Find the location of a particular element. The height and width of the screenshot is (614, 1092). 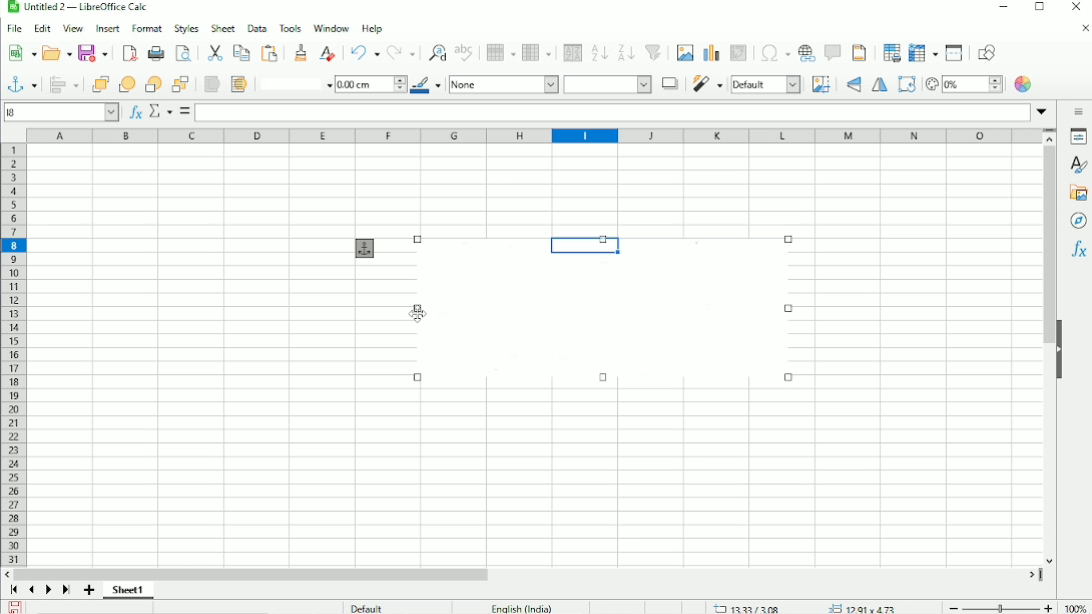

Filter is located at coordinates (707, 84).